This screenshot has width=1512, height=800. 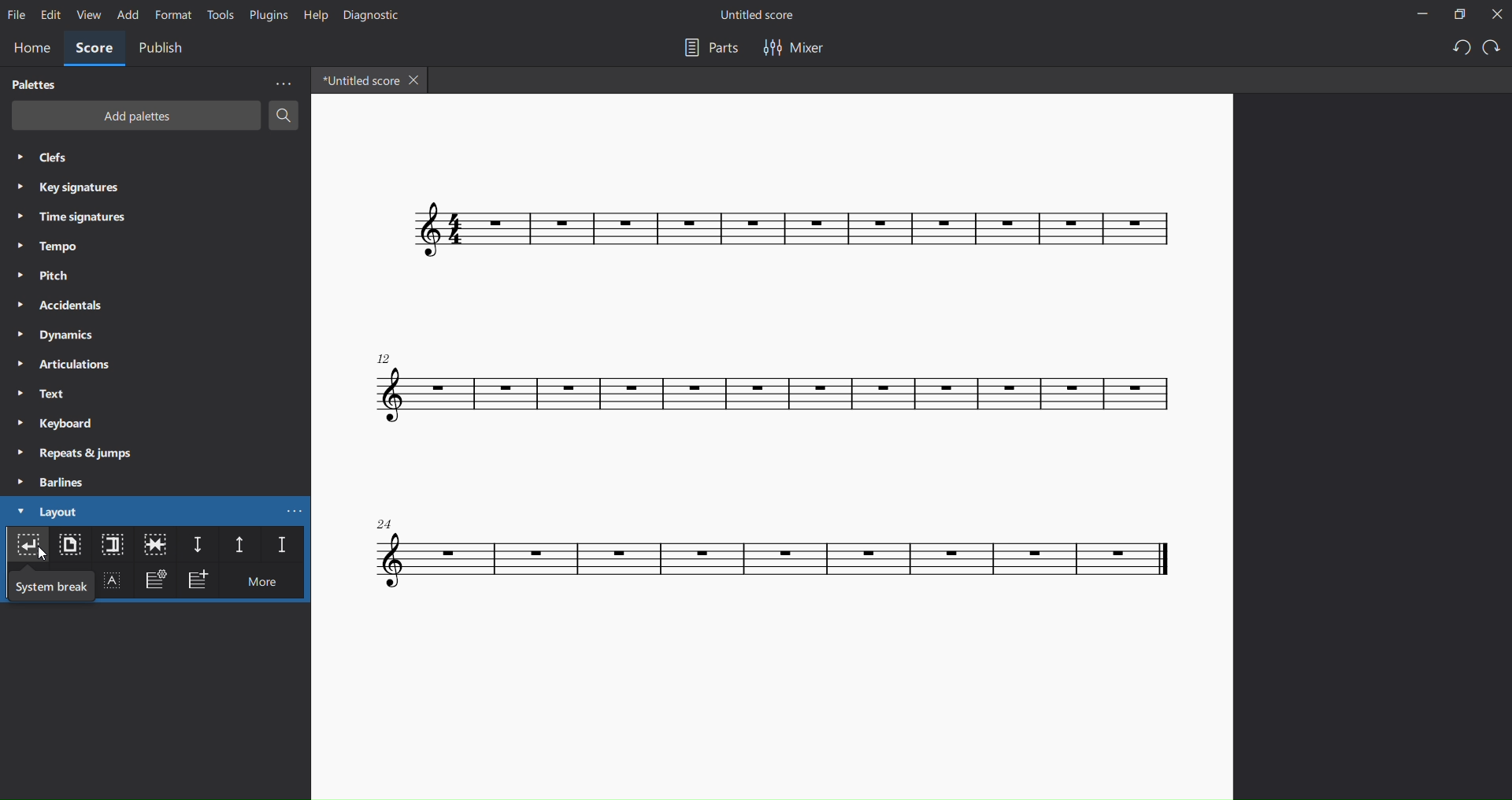 I want to click on help, so click(x=313, y=14).